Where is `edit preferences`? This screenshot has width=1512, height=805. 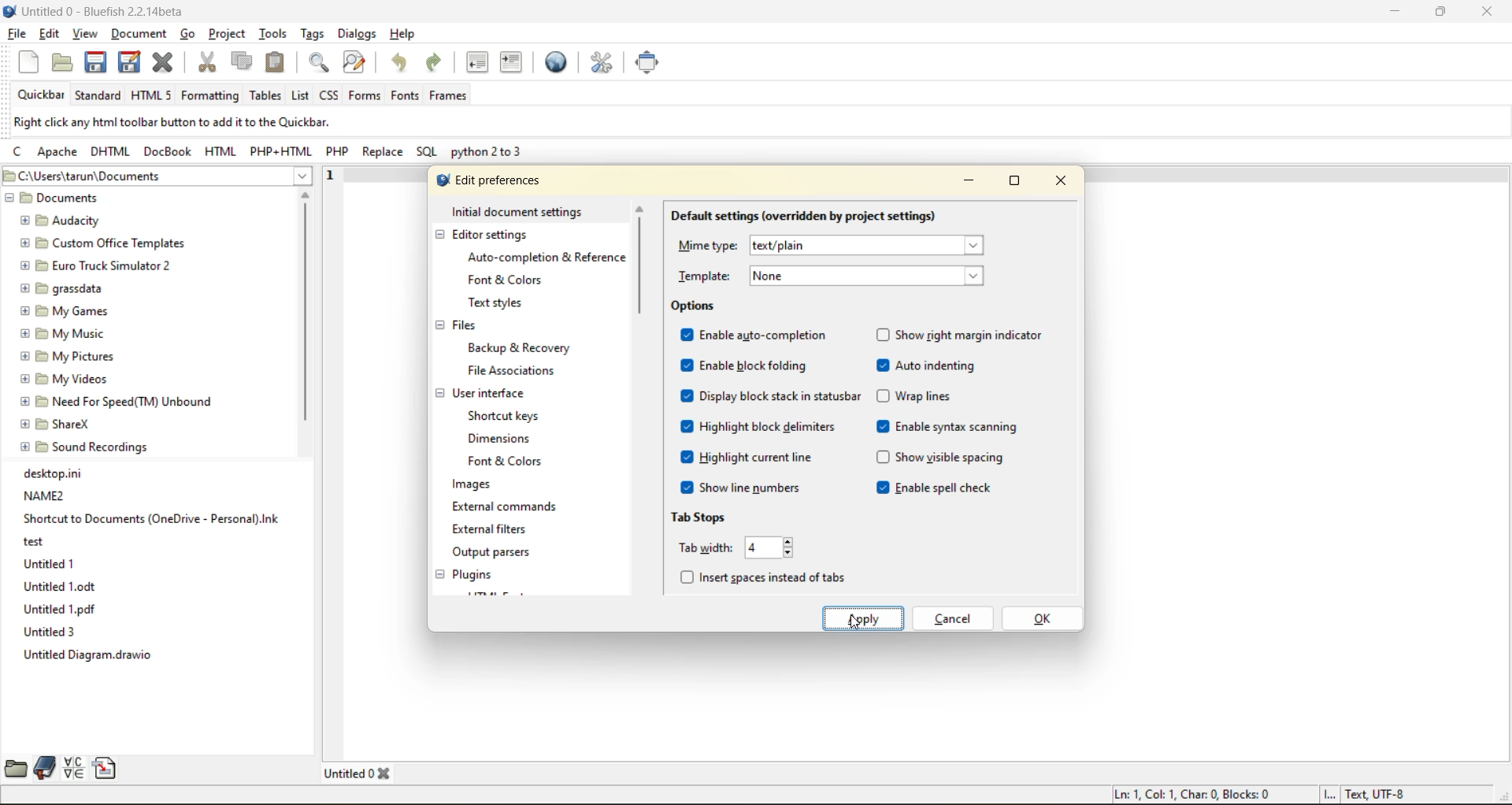
edit preferences is located at coordinates (603, 63).